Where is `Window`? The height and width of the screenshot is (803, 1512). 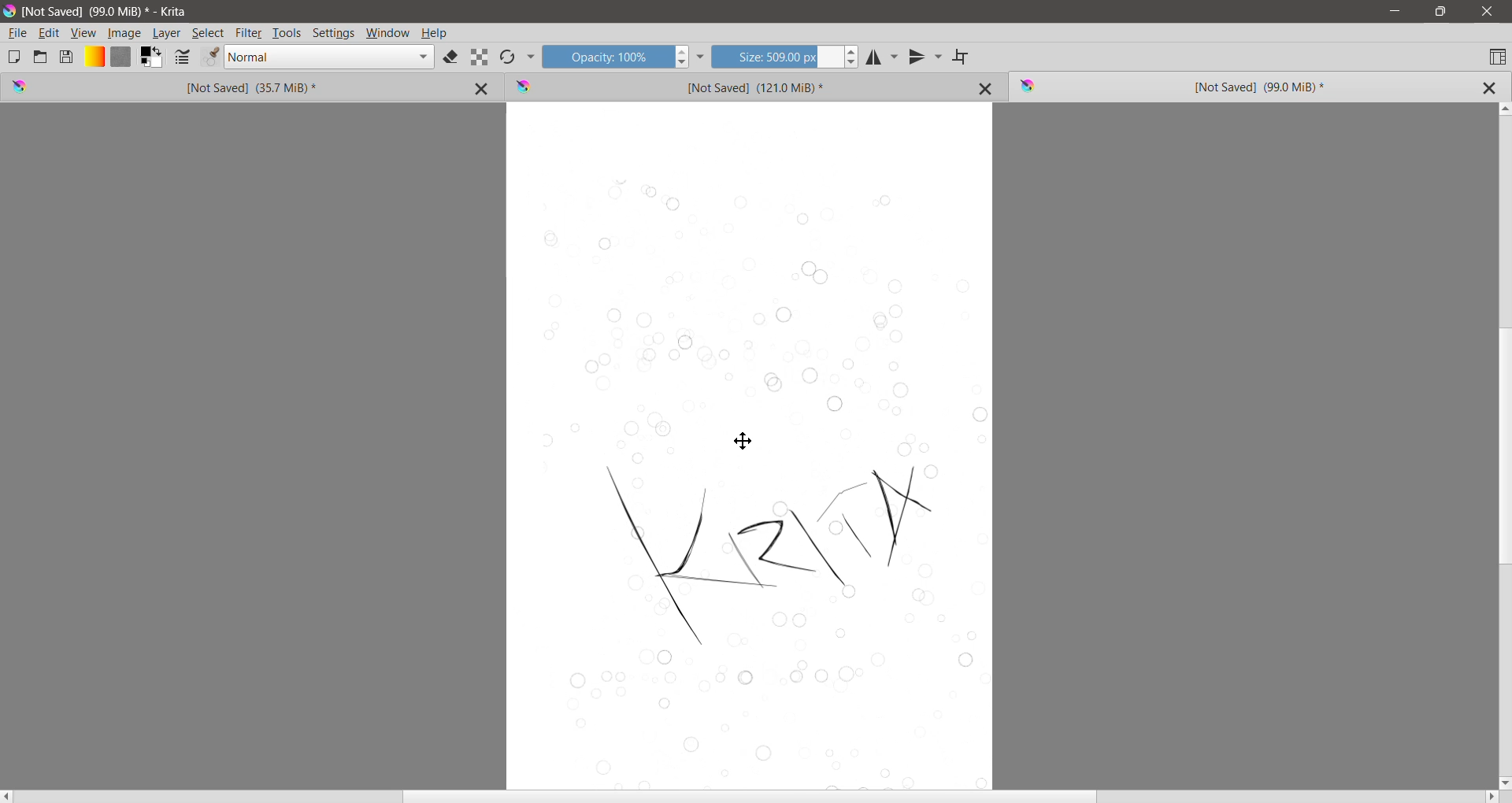 Window is located at coordinates (388, 34).